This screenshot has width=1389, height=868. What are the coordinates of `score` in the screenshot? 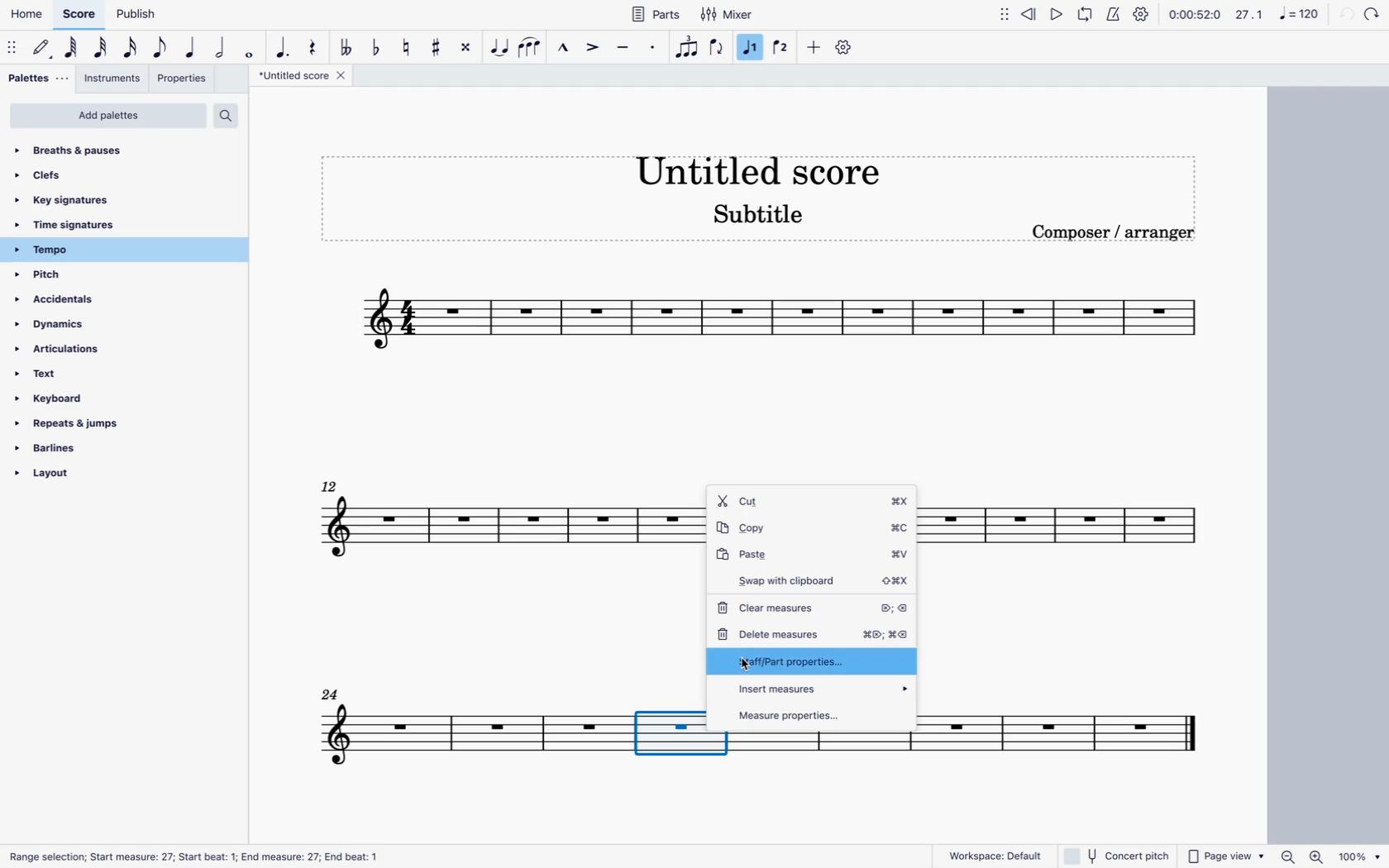 It's located at (765, 322).